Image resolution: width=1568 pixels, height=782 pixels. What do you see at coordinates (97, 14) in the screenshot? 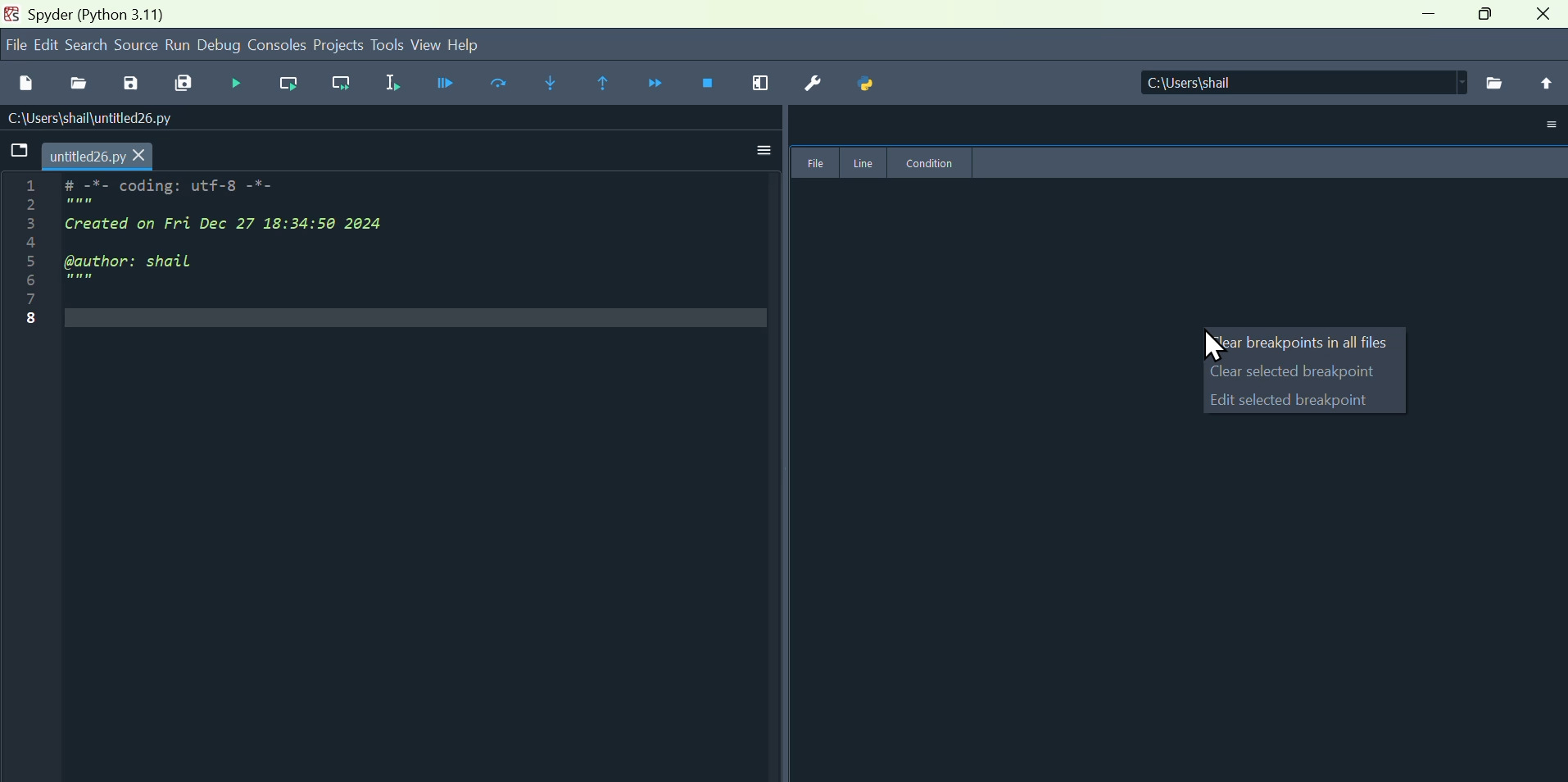
I see `Spyder (Python 3.11)` at bounding box center [97, 14].